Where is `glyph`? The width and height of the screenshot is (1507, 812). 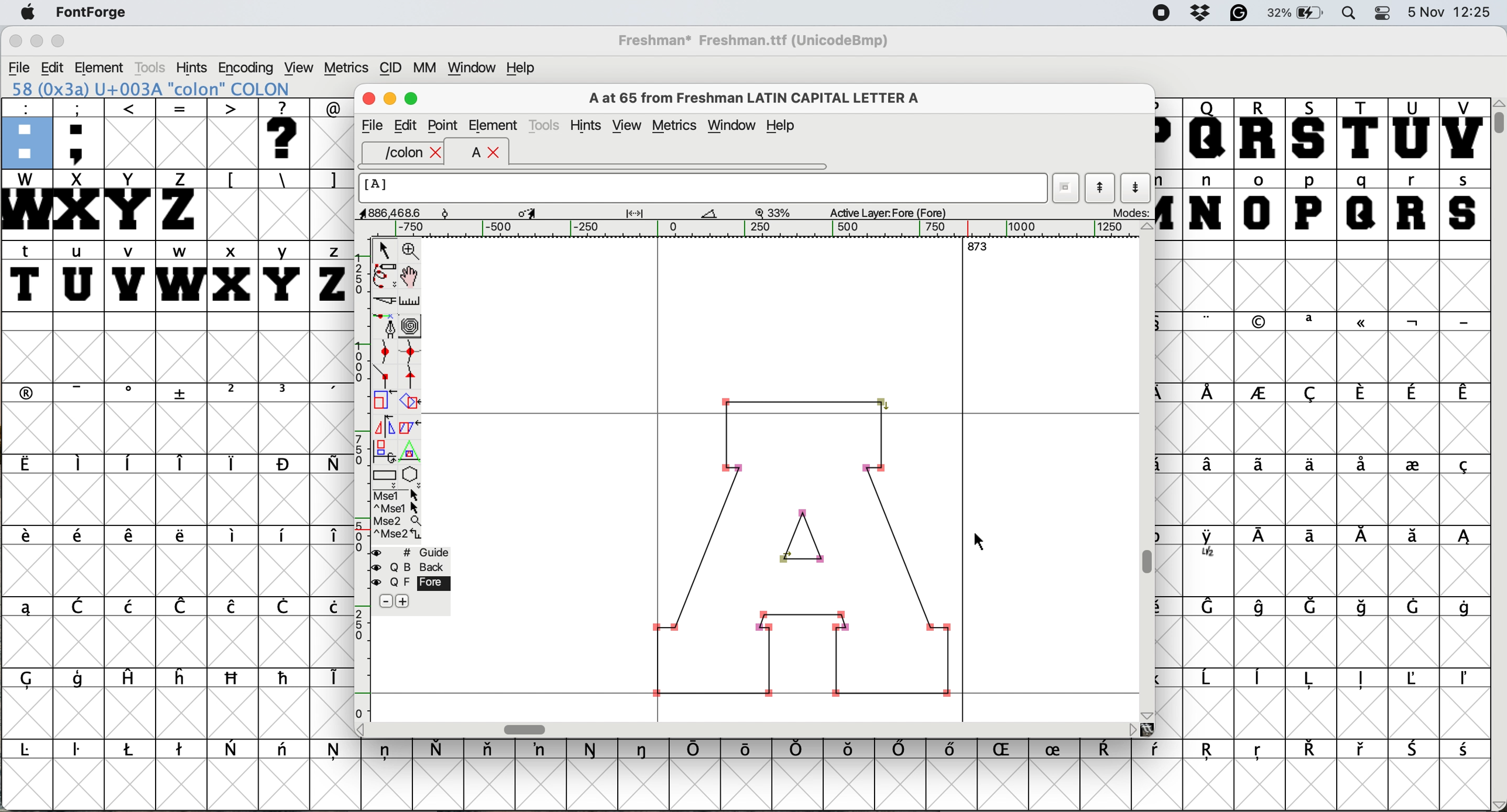
glyph is located at coordinates (804, 544).